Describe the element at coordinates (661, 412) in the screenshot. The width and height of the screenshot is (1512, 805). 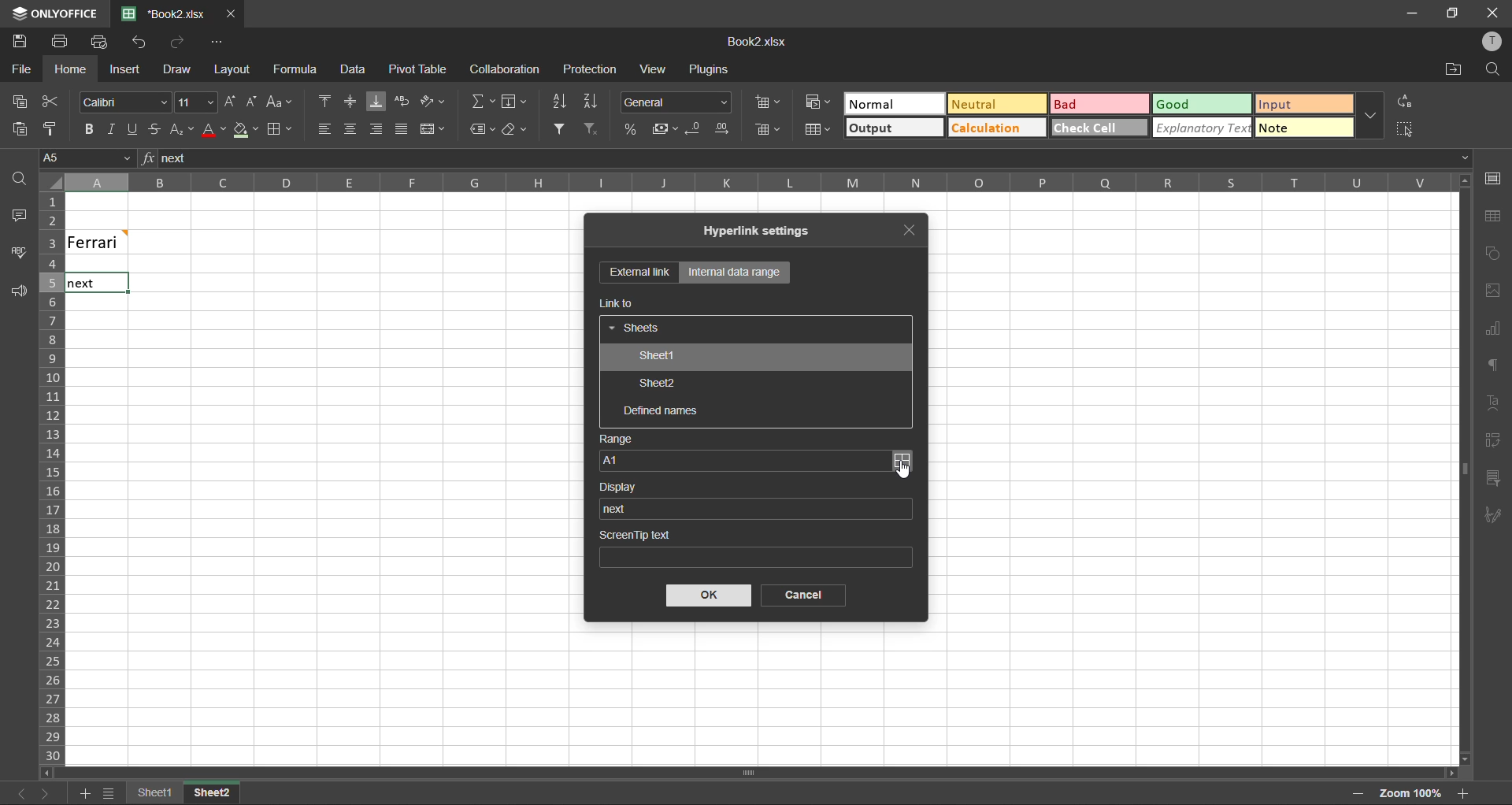
I see `defined names` at that location.